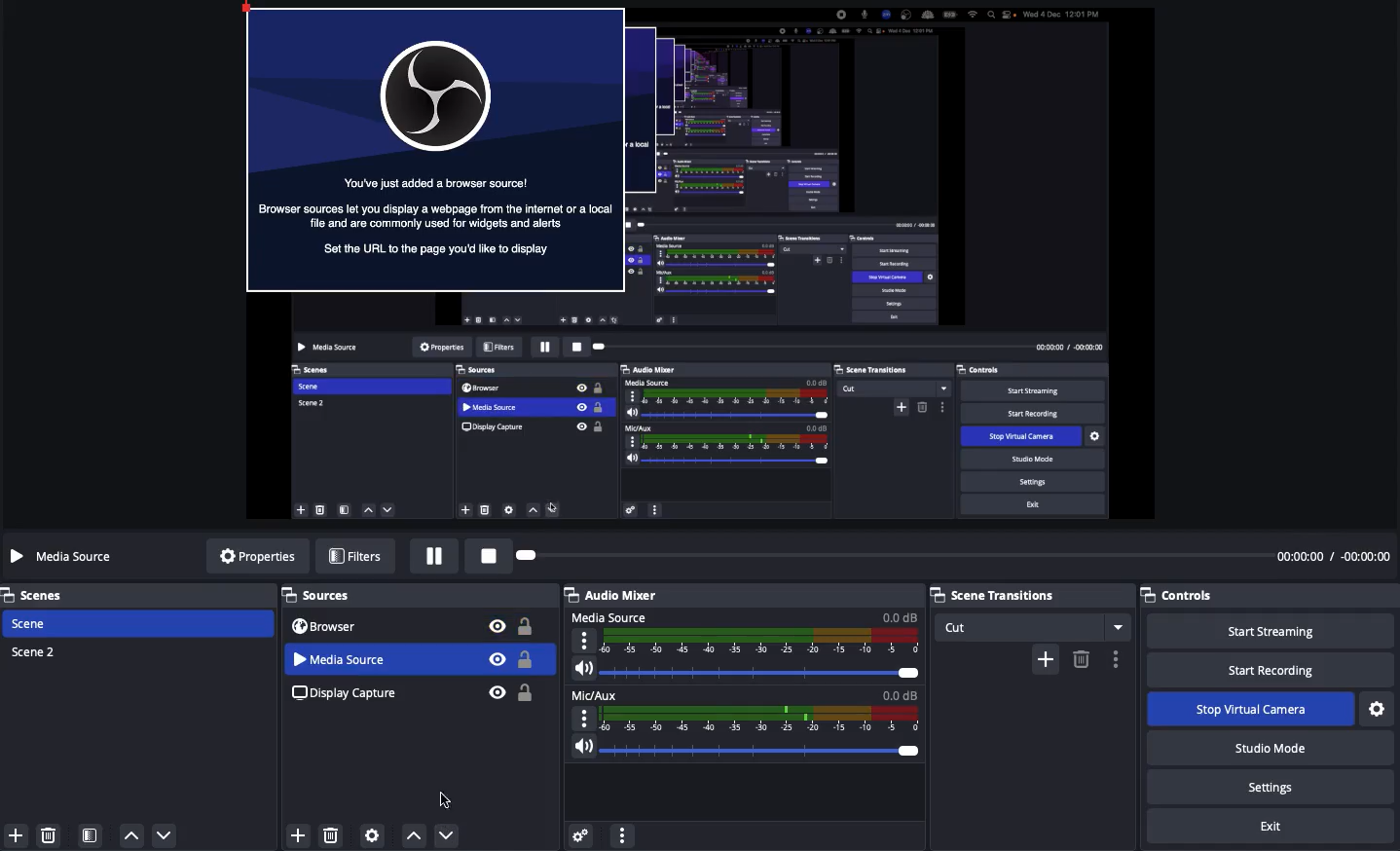 The image size is (1400, 851). I want to click on Filters, so click(354, 555).